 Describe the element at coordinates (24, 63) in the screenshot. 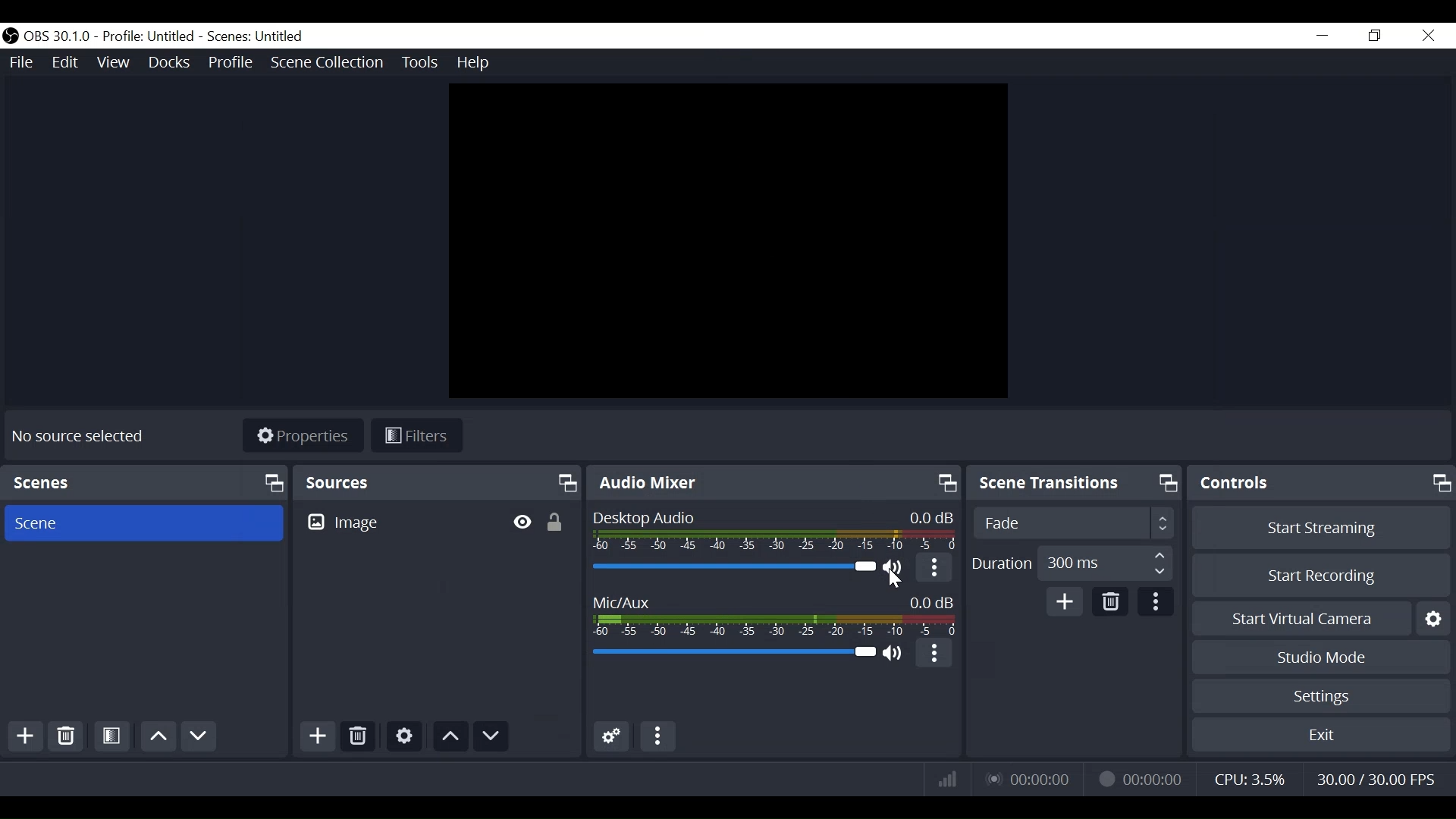

I see `File` at that location.